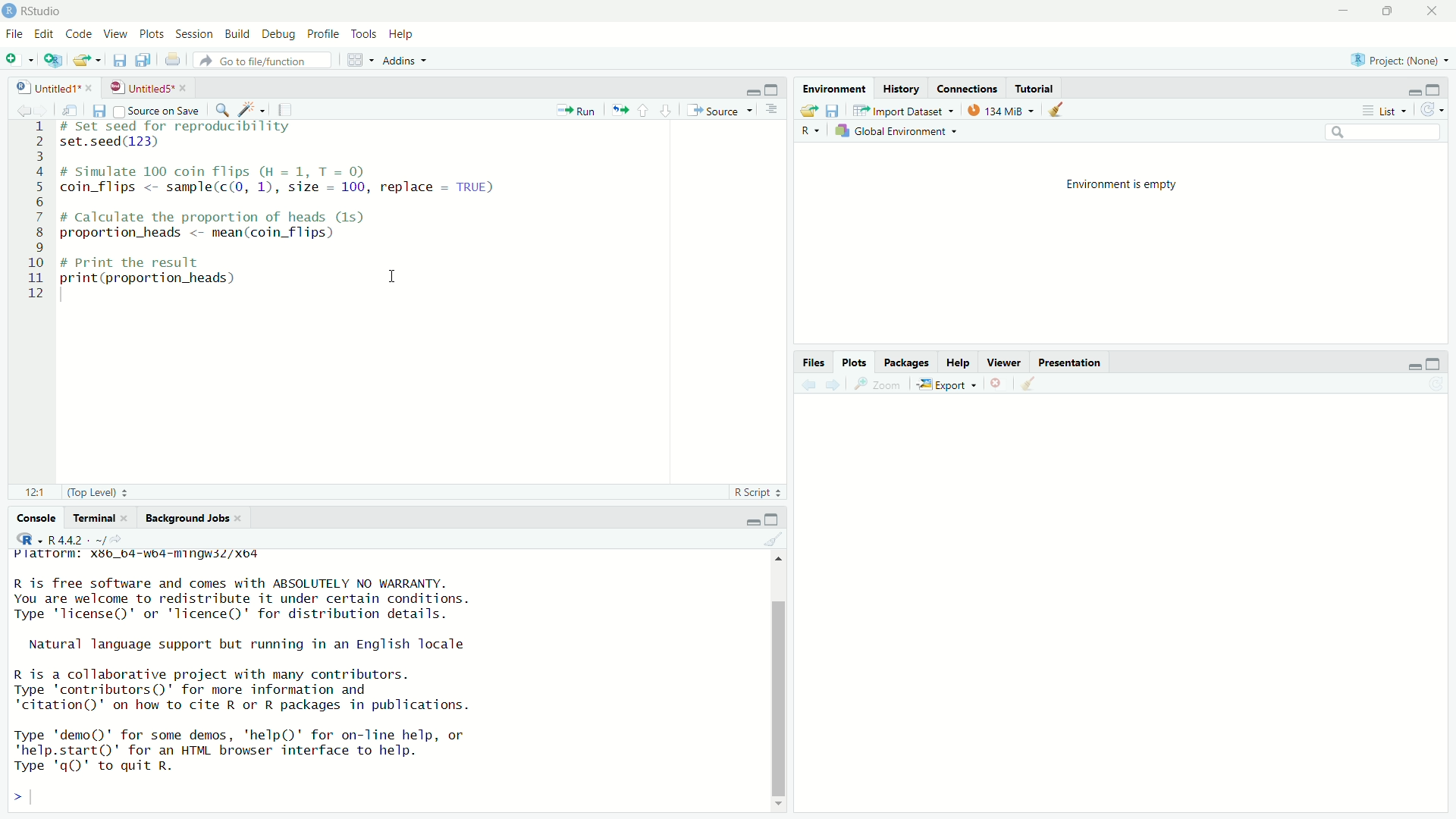 The width and height of the screenshot is (1456, 819). What do you see at coordinates (40, 86) in the screenshot?
I see `untitled1` at bounding box center [40, 86].